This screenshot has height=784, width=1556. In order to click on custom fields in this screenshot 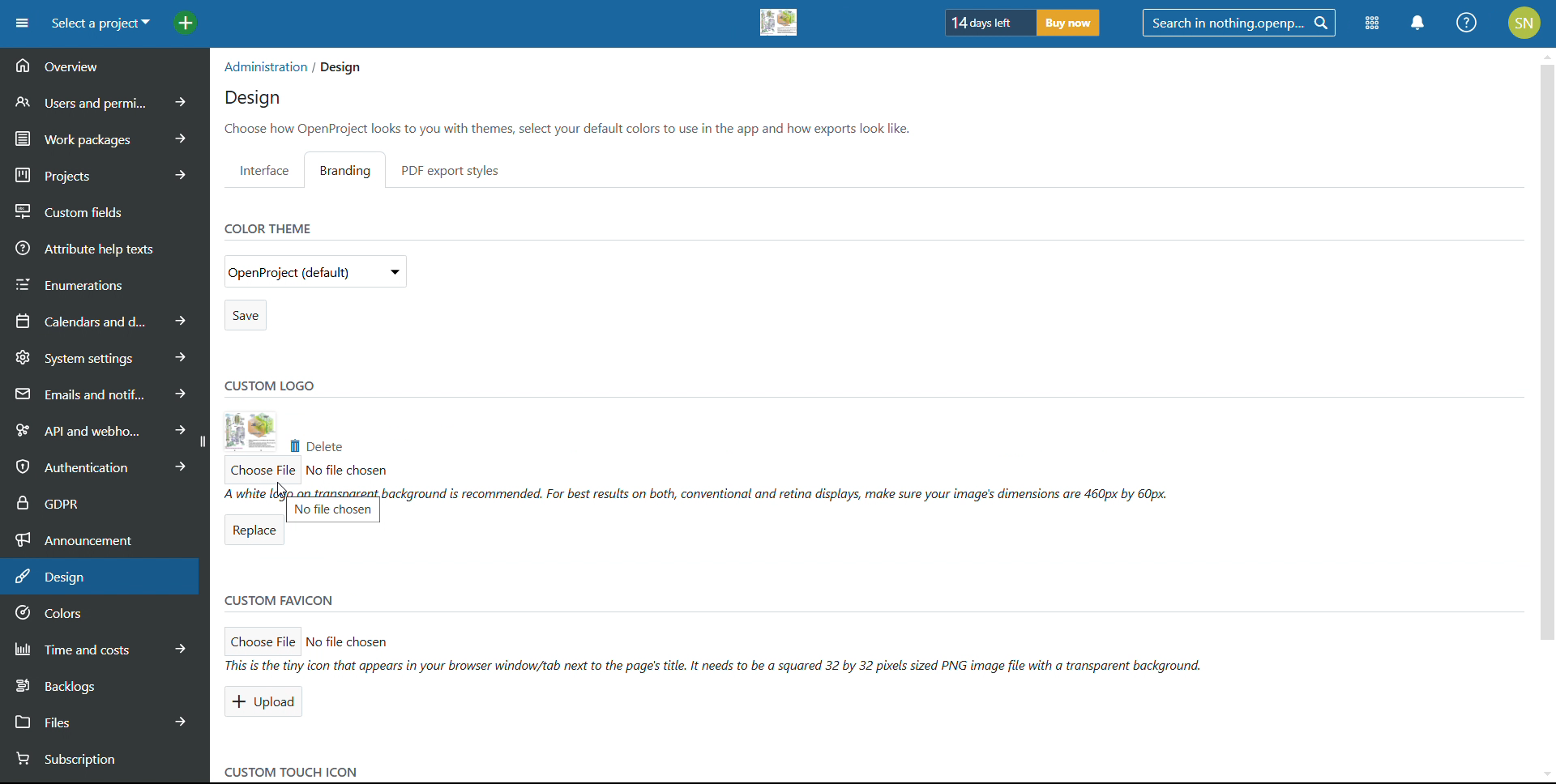, I will do `click(105, 207)`.